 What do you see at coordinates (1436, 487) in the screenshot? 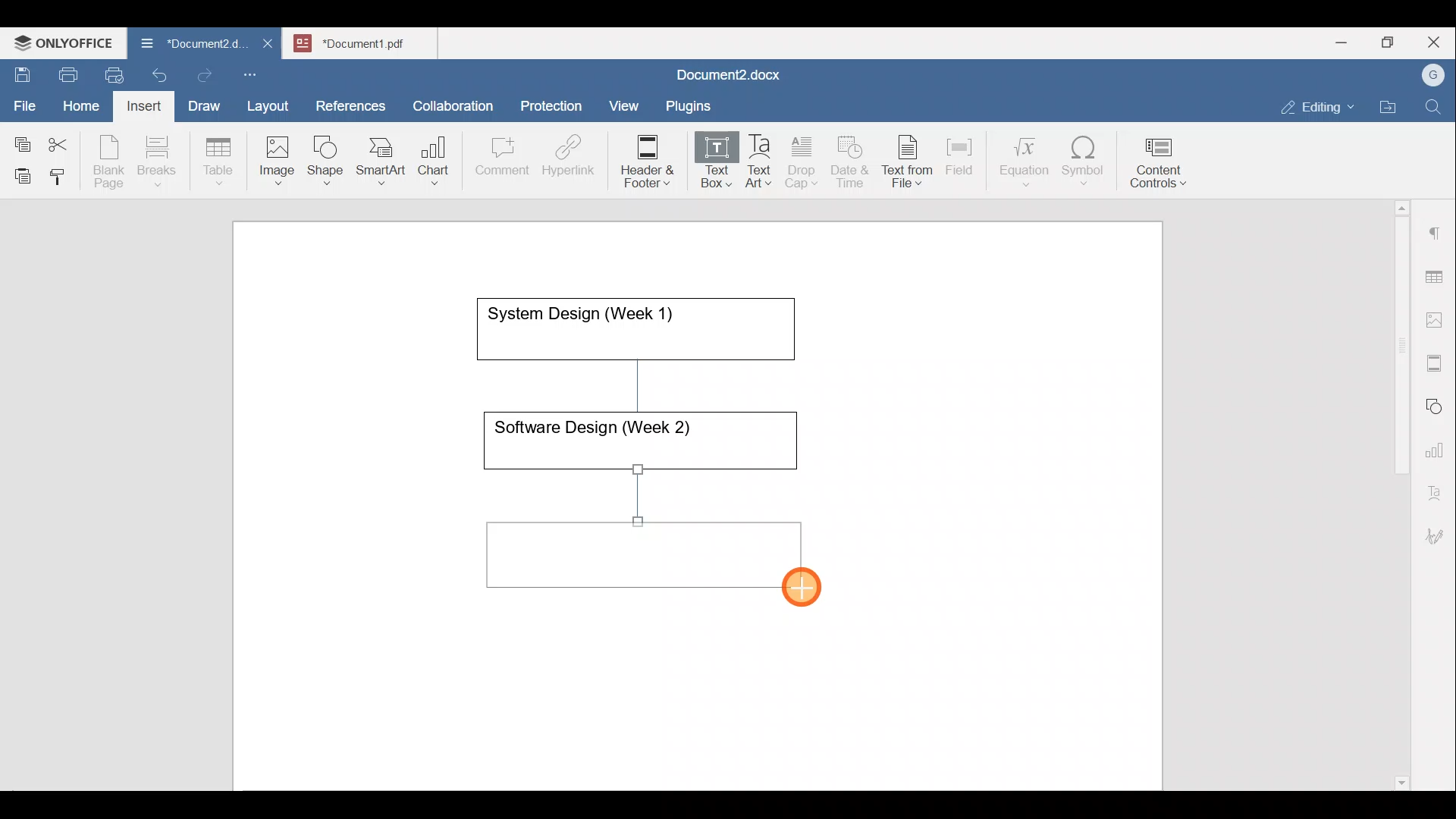
I see `Text Art settings` at bounding box center [1436, 487].